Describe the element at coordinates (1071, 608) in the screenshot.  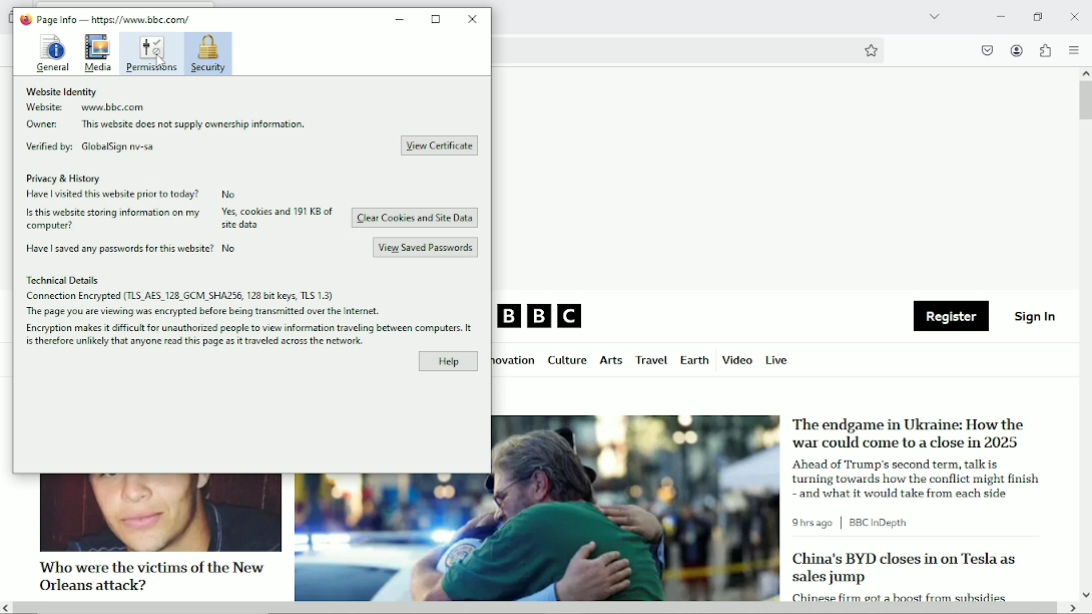
I see `scroll right` at that location.